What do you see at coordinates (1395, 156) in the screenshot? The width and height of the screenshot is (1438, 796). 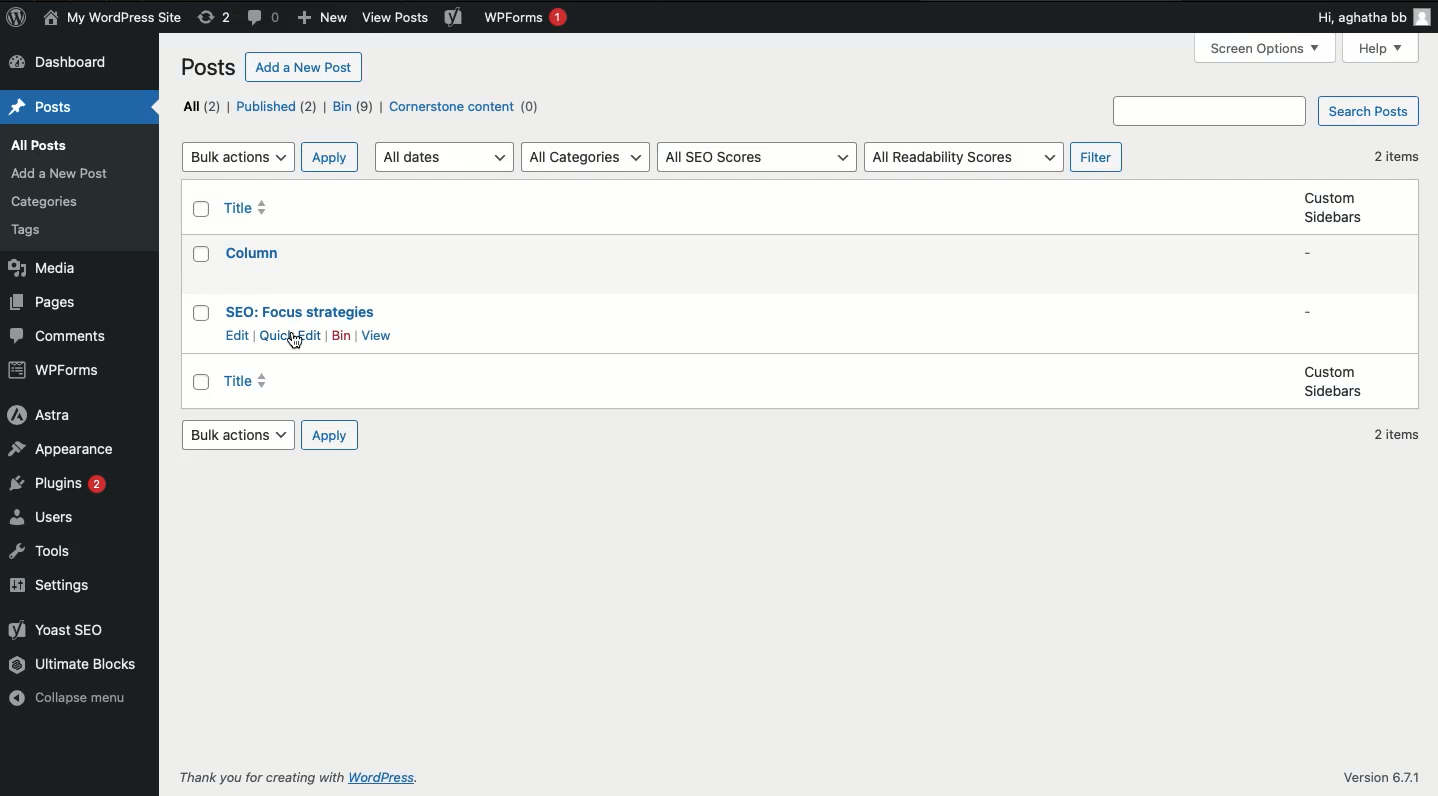 I see `2 items` at bounding box center [1395, 156].